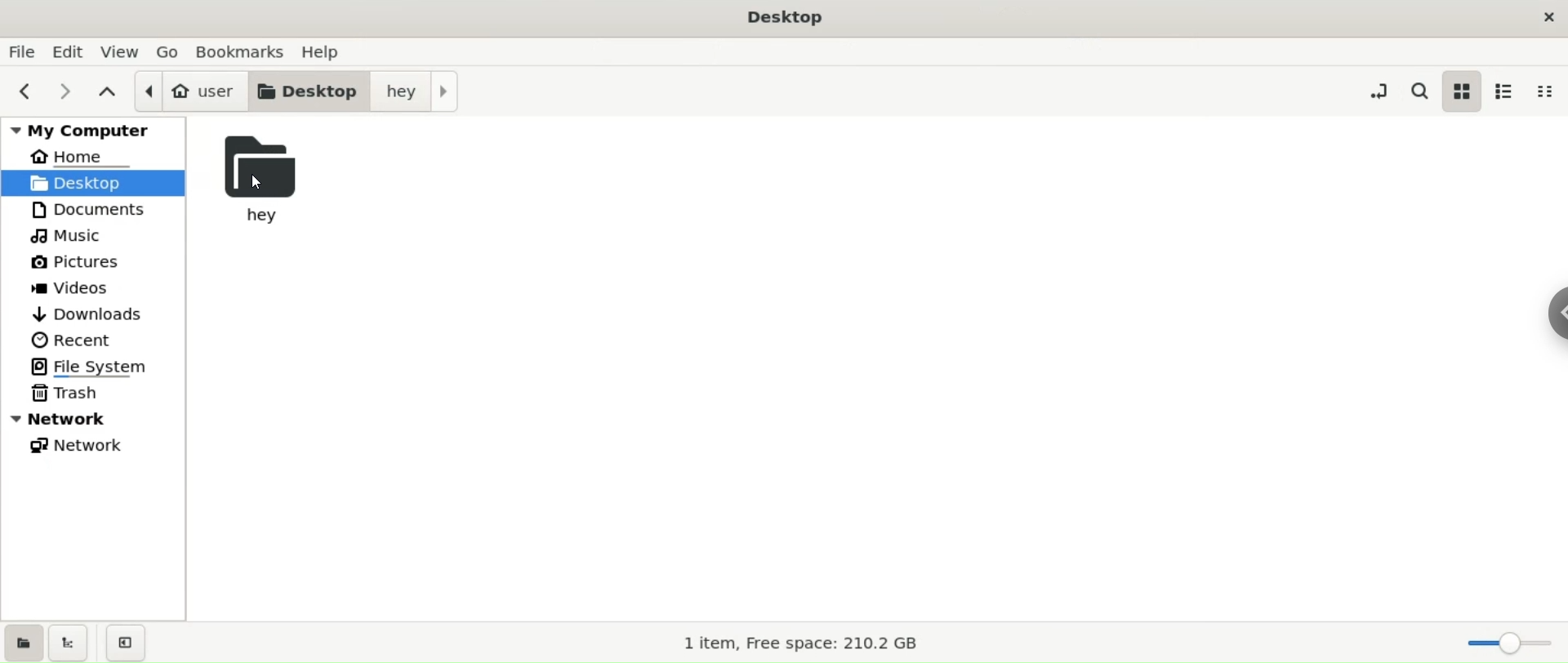  I want to click on file, so click(21, 51).